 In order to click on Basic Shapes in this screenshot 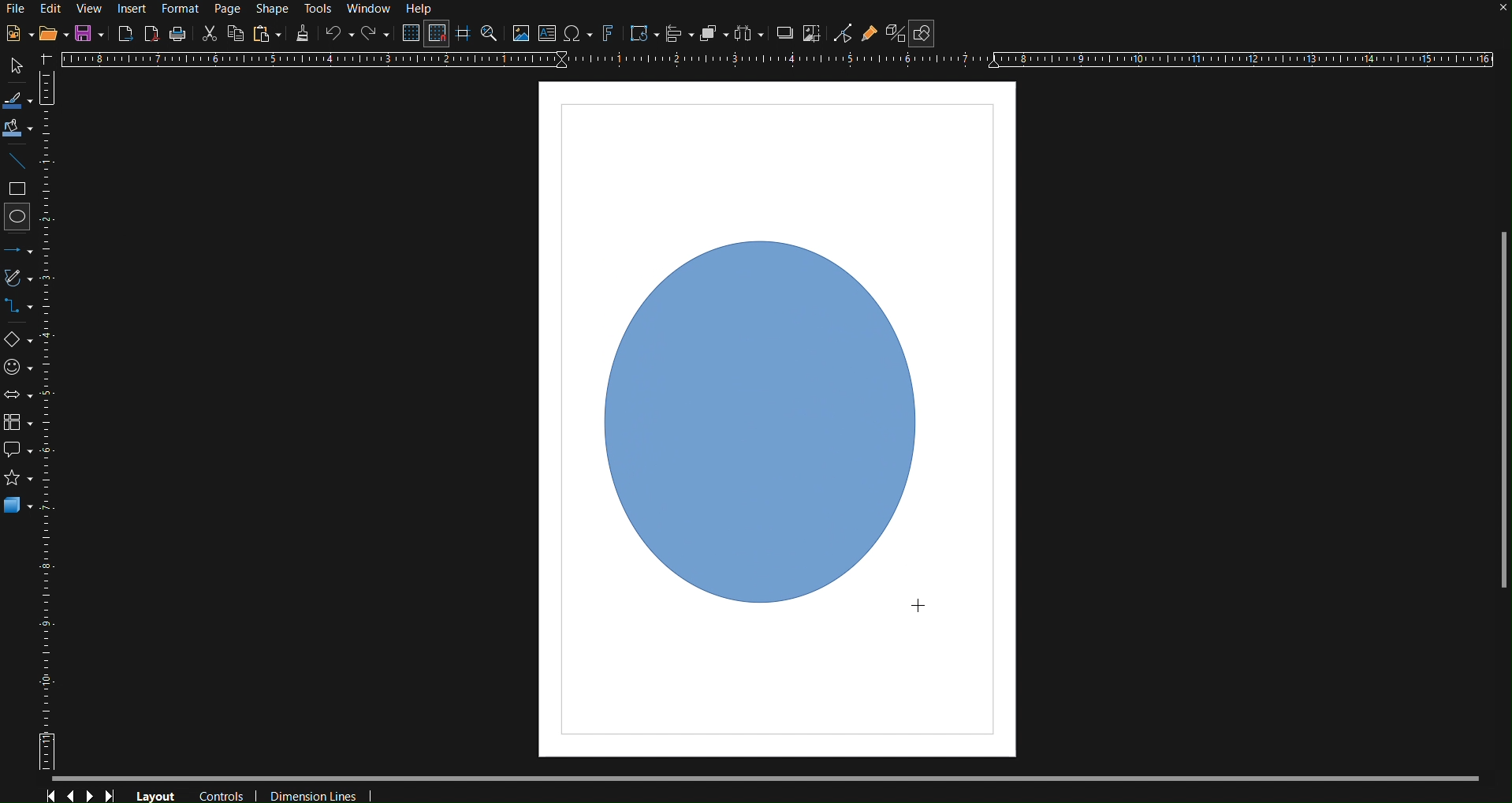, I will do `click(22, 342)`.